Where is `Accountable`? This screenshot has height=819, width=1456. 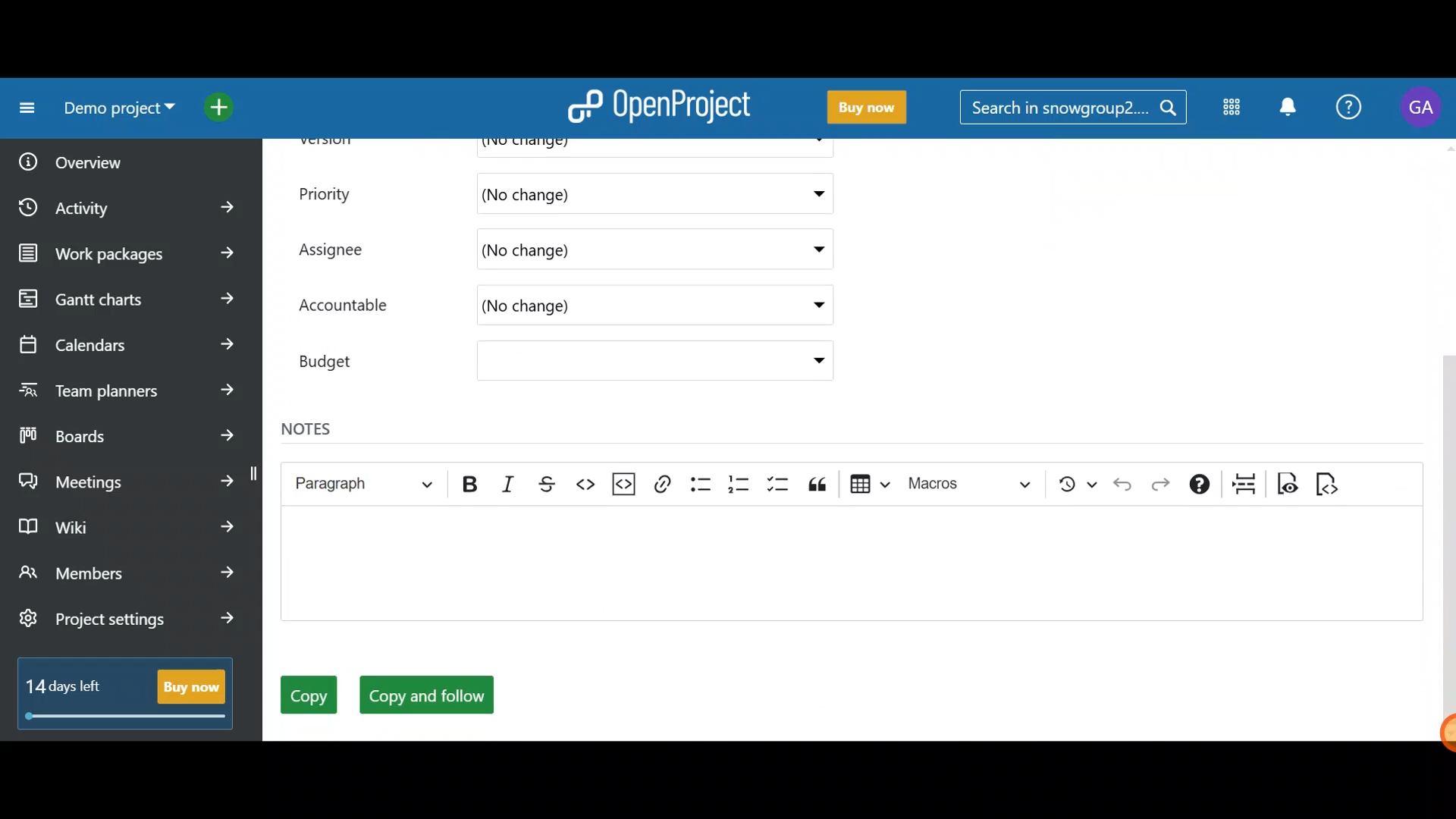
Accountable is located at coordinates (345, 306).